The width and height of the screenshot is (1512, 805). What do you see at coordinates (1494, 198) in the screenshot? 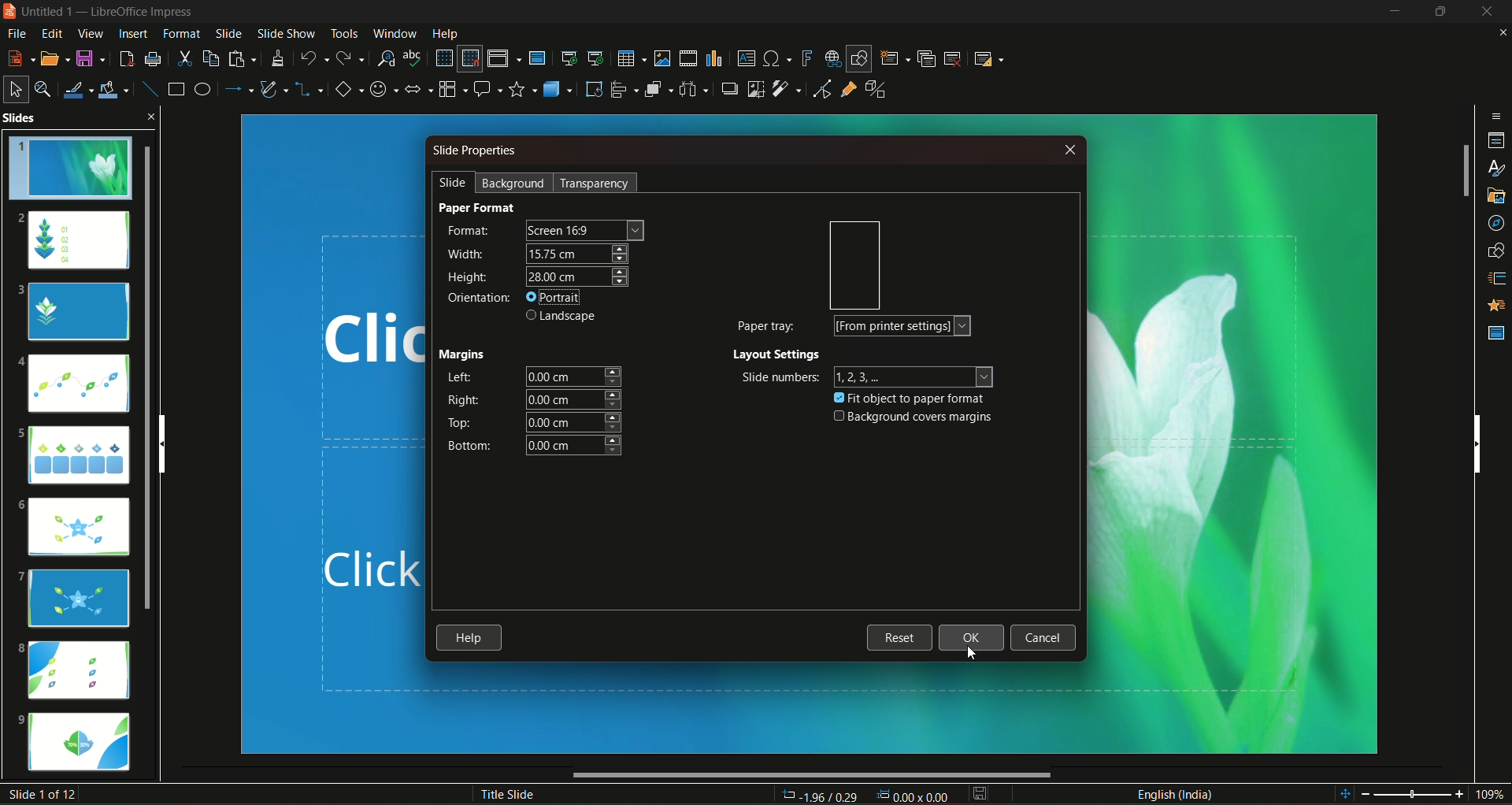
I see `gallery` at bounding box center [1494, 198].